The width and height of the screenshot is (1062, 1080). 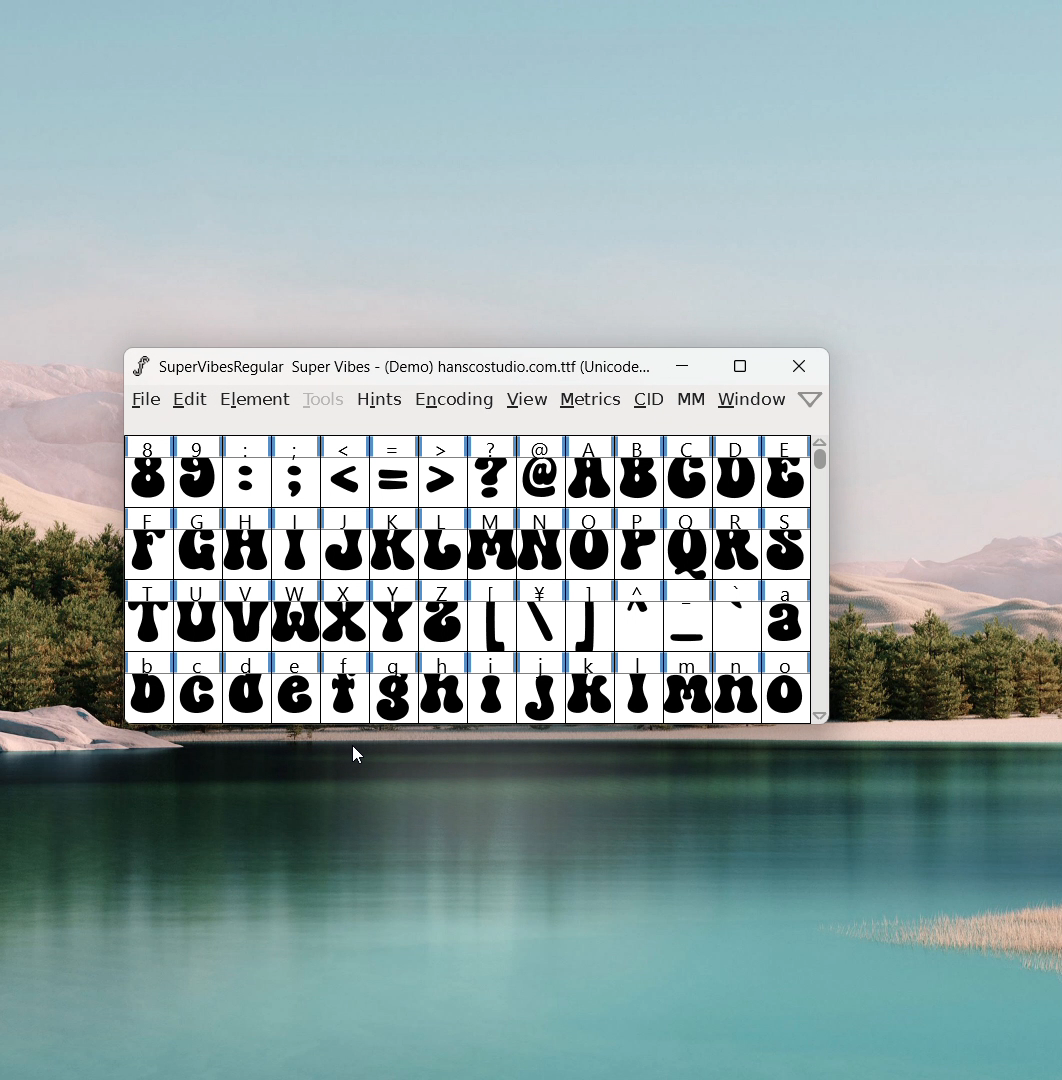 I want to click on g, so click(x=394, y=687).